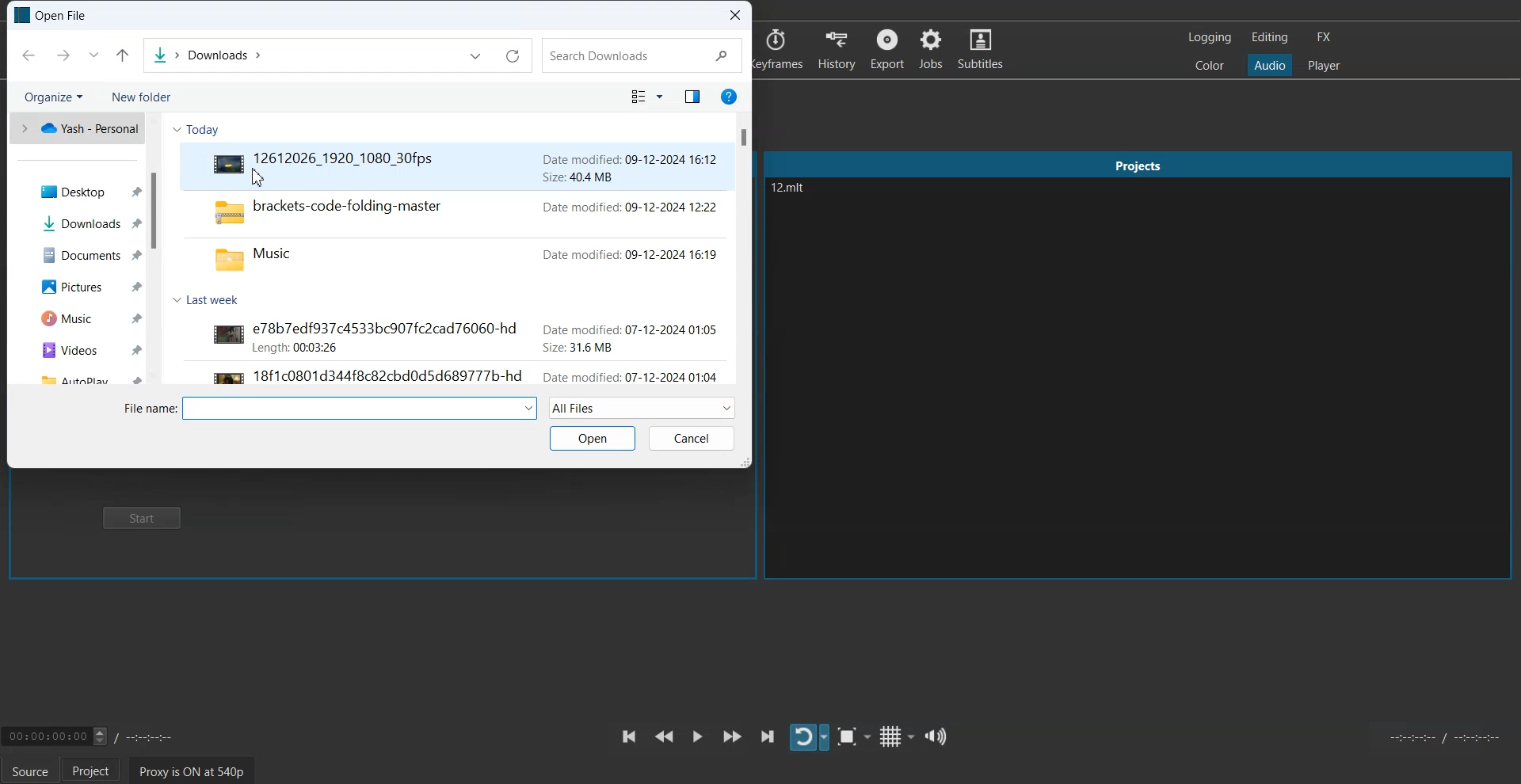  What do you see at coordinates (123, 55) in the screenshot?
I see `Up to last folder` at bounding box center [123, 55].